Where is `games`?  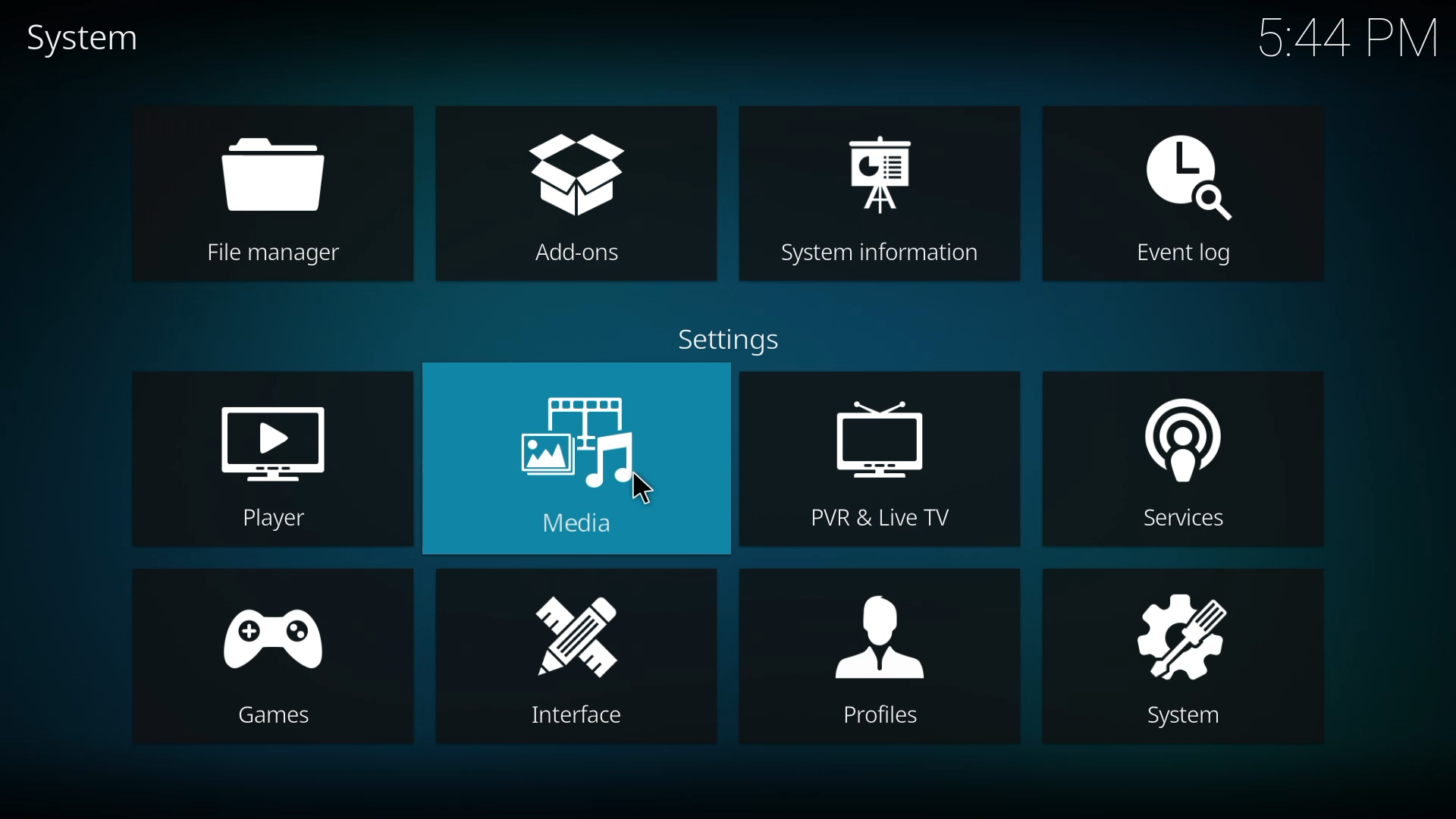
games is located at coordinates (282, 637).